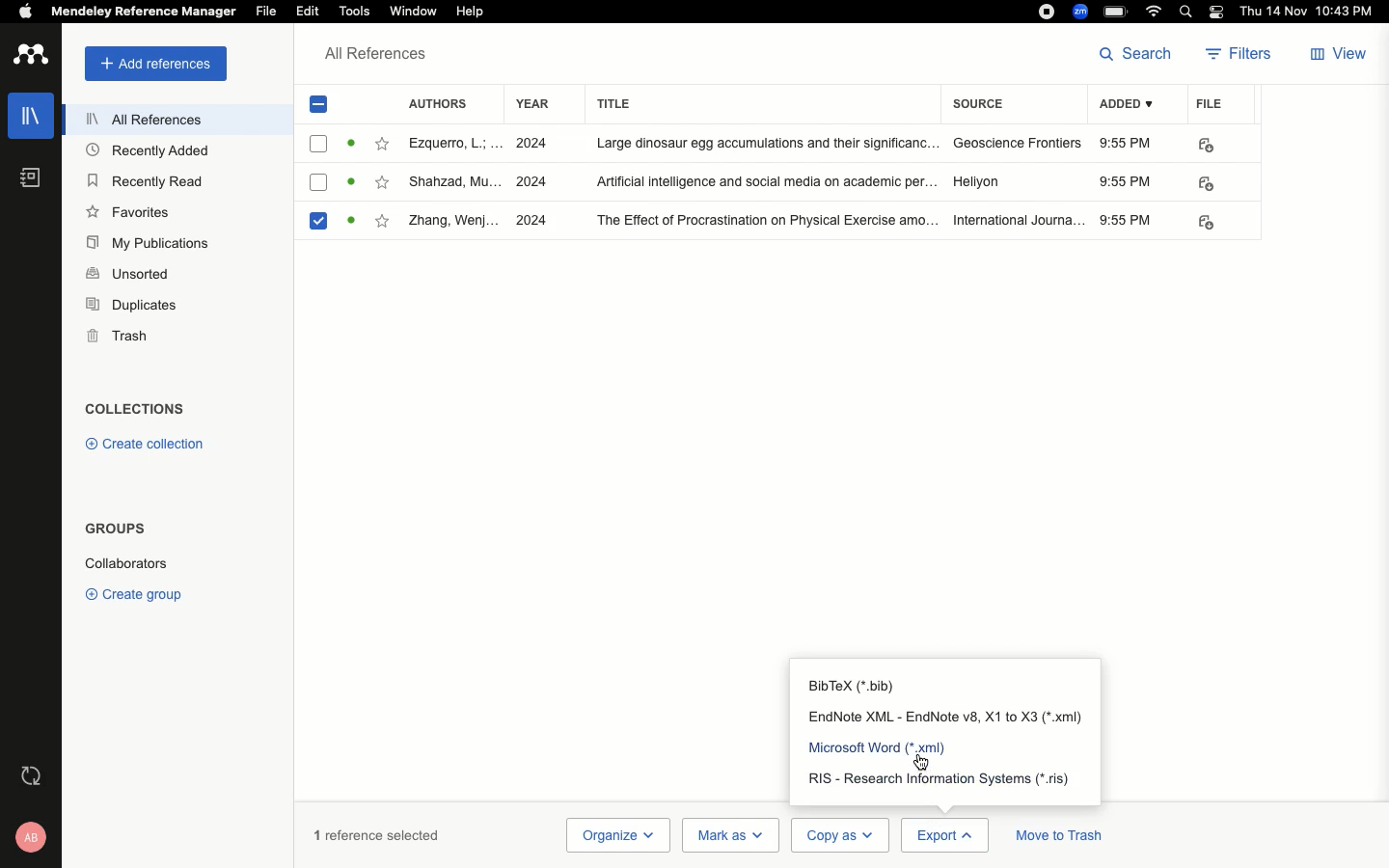 The height and width of the screenshot is (868, 1389). What do you see at coordinates (941, 777) in the screenshot?
I see `RIS` at bounding box center [941, 777].